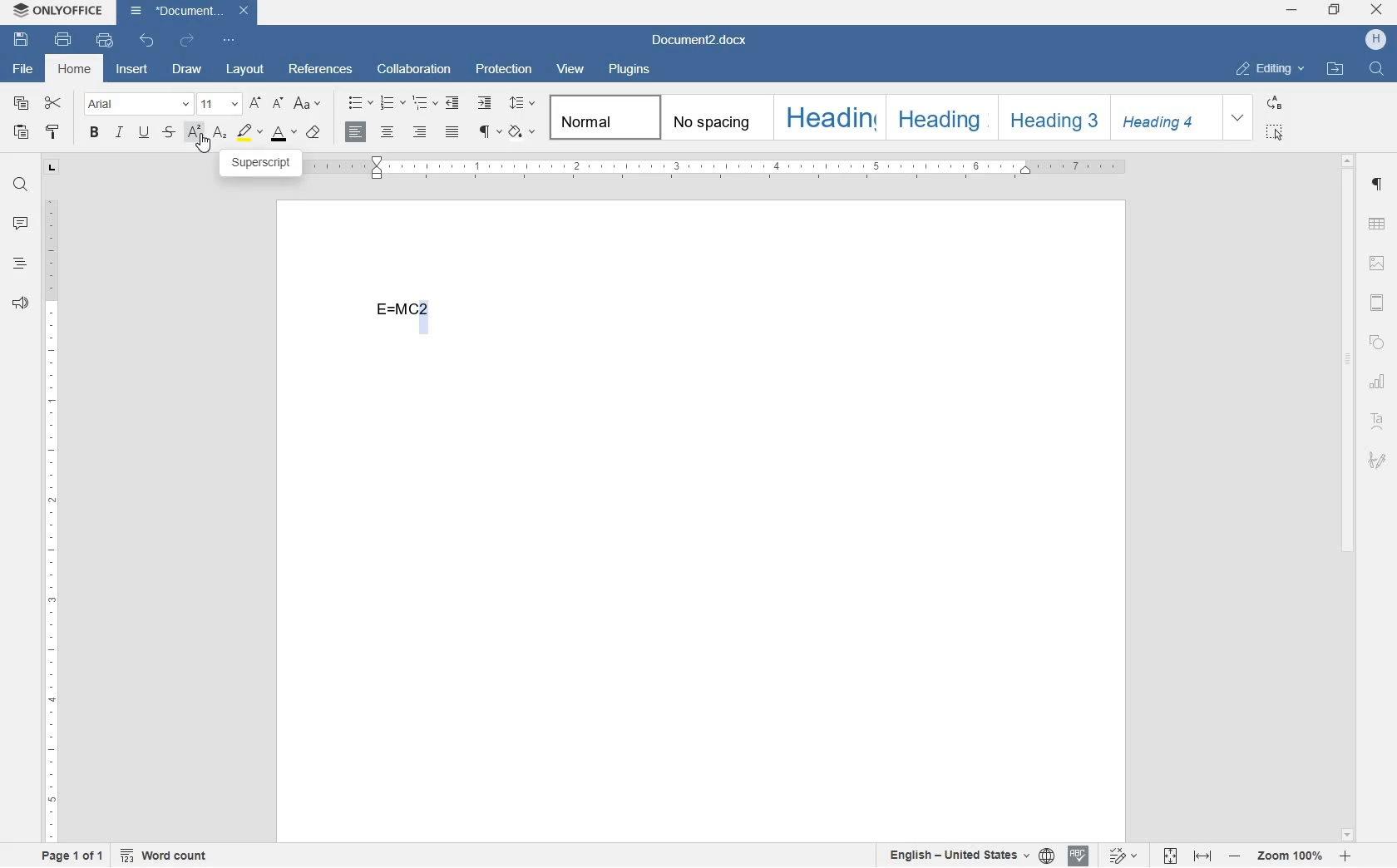  I want to click on layout, so click(244, 71).